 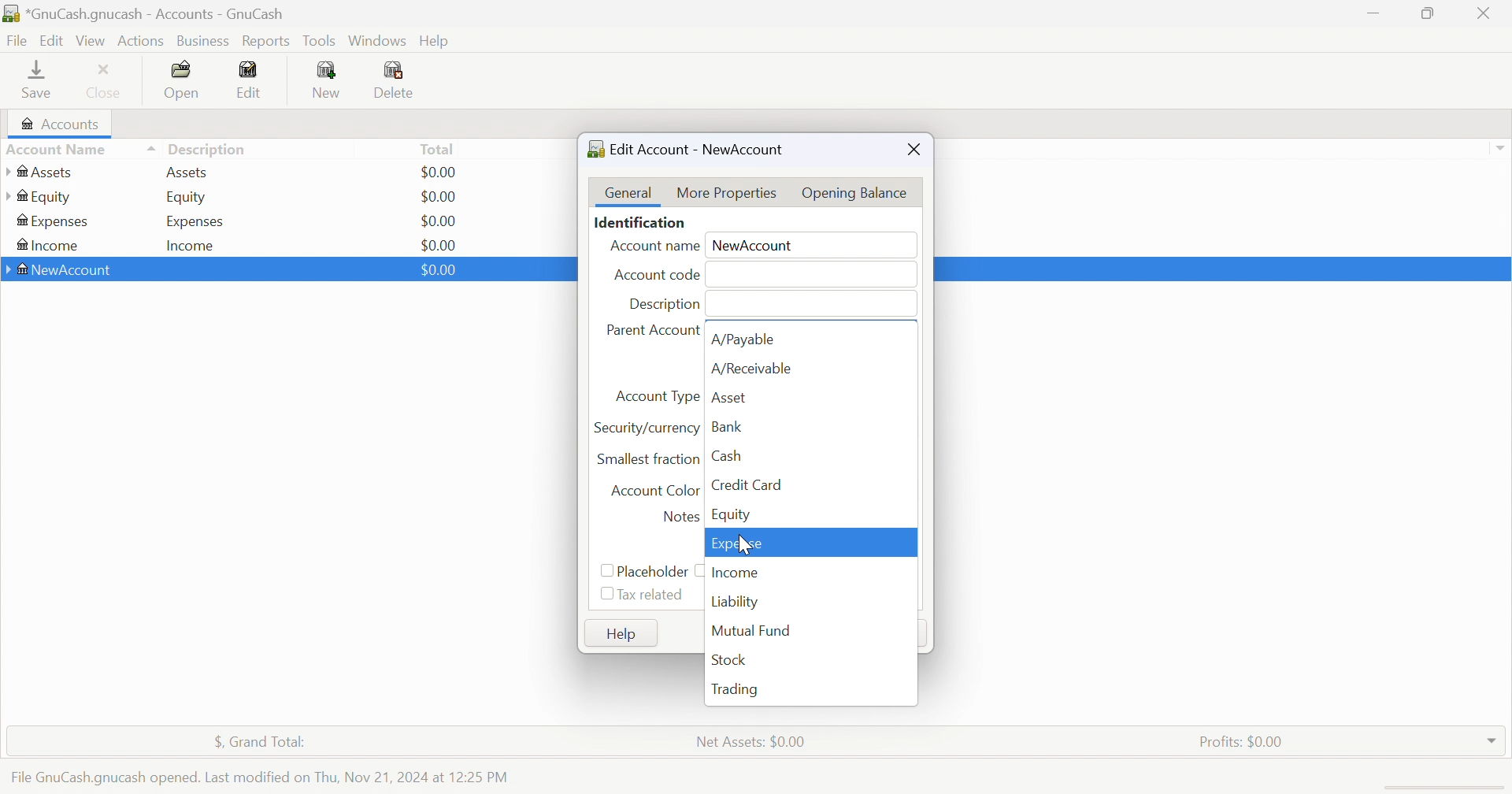 I want to click on $0.00, so click(x=437, y=197).